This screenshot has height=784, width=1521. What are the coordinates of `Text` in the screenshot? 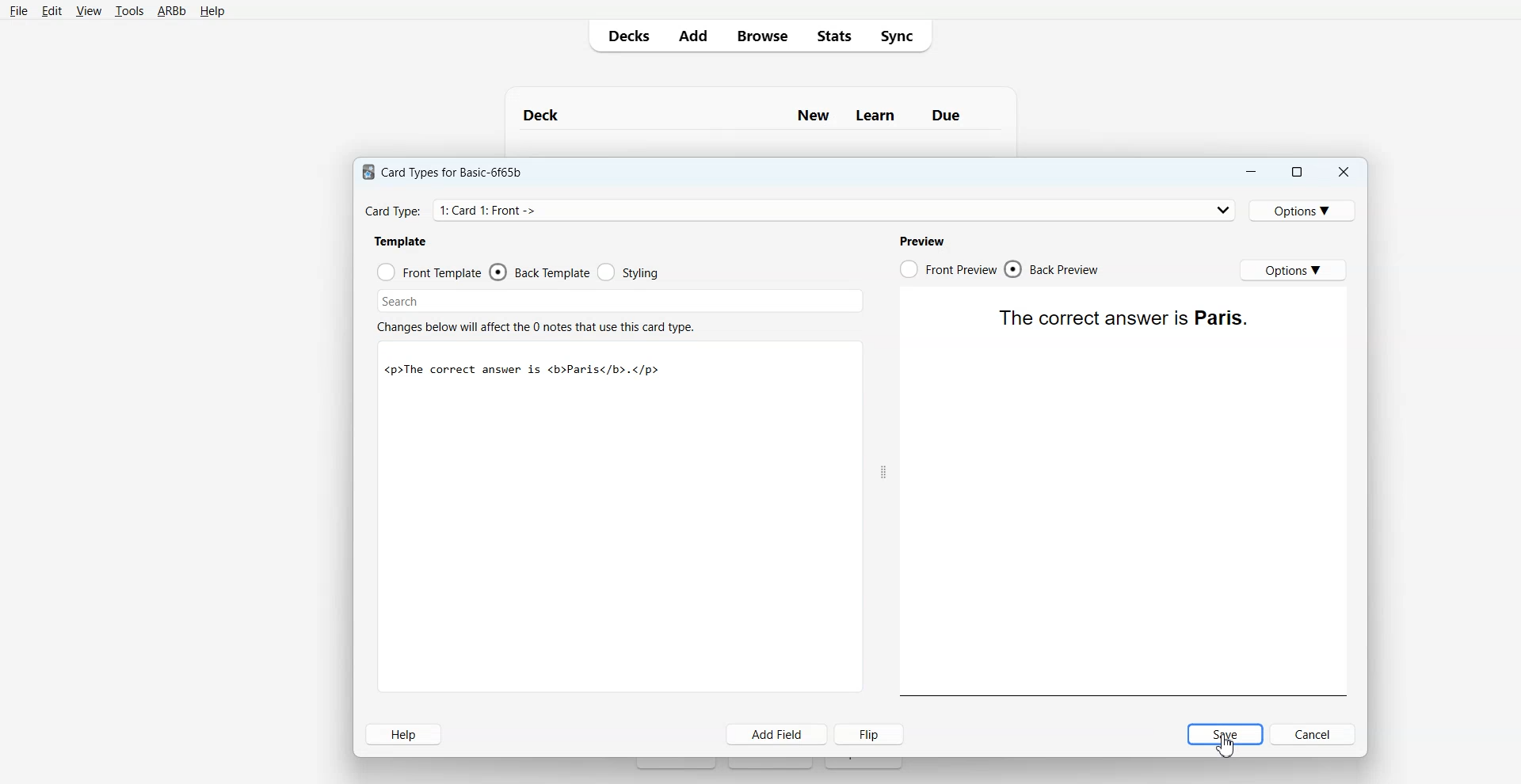 It's located at (1123, 316).